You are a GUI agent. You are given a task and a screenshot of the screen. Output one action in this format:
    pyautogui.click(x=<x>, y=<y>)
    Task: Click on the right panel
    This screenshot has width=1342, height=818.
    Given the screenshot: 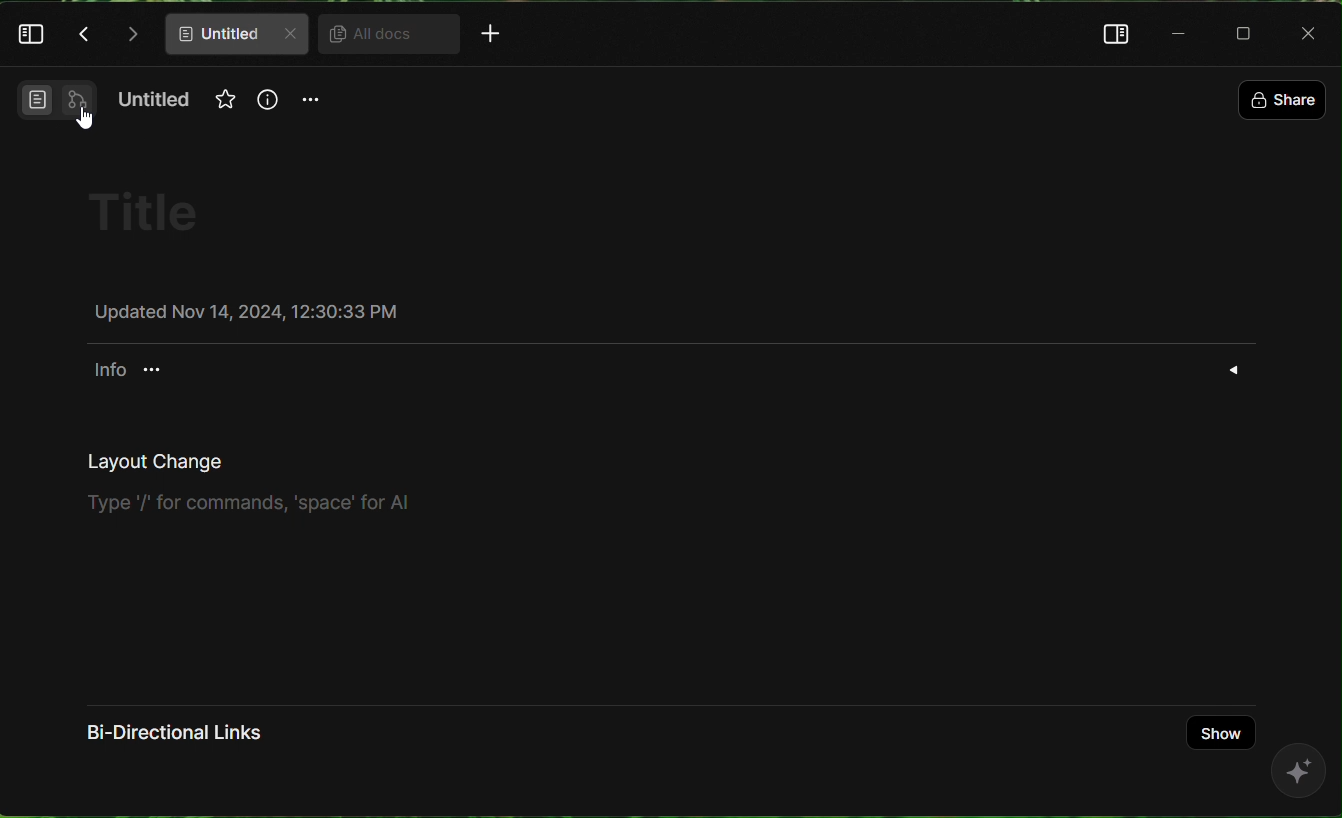 What is the action you would take?
    pyautogui.click(x=1109, y=33)
    